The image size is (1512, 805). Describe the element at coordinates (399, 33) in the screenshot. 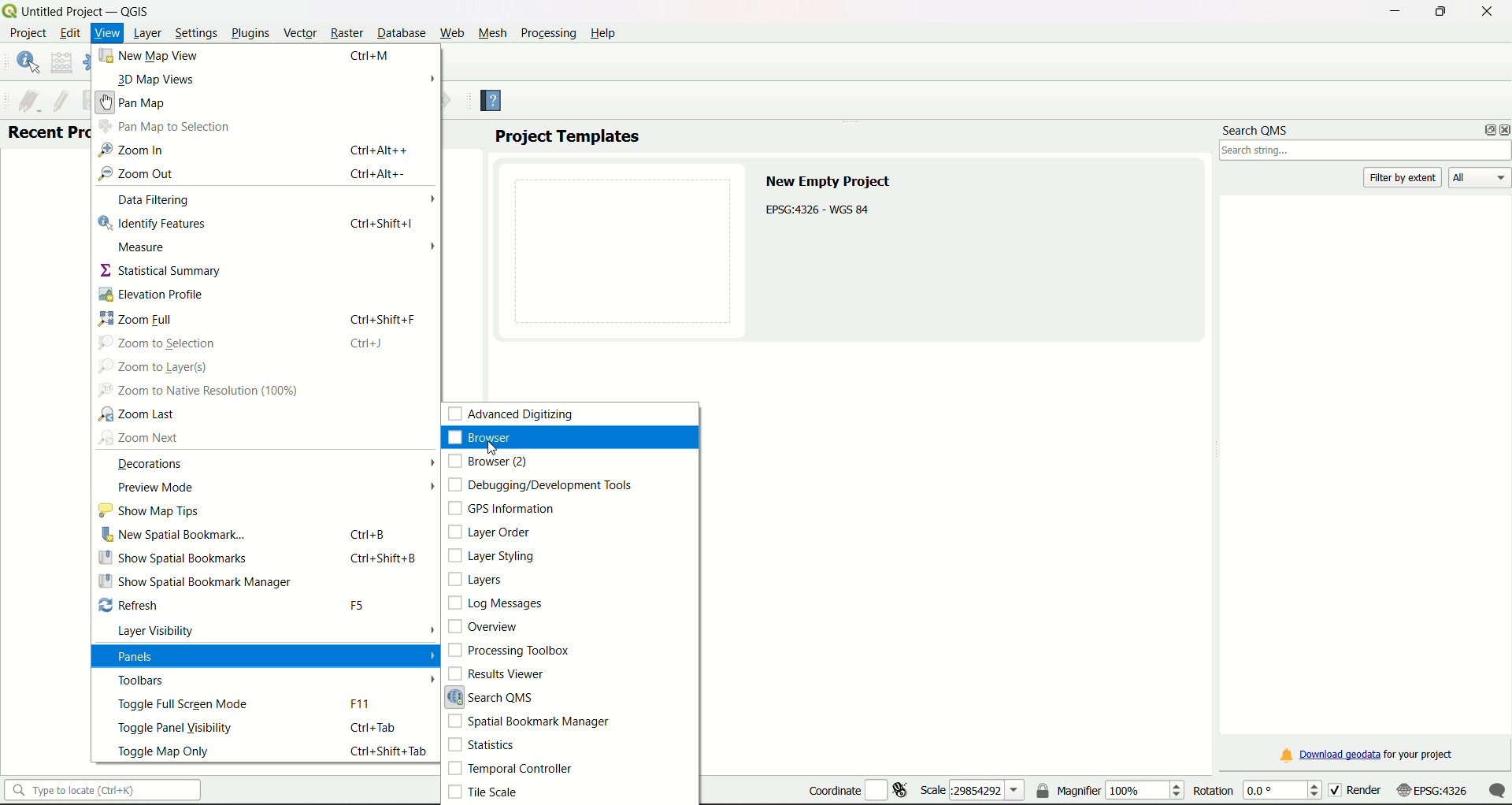

I see `Database` at that location.